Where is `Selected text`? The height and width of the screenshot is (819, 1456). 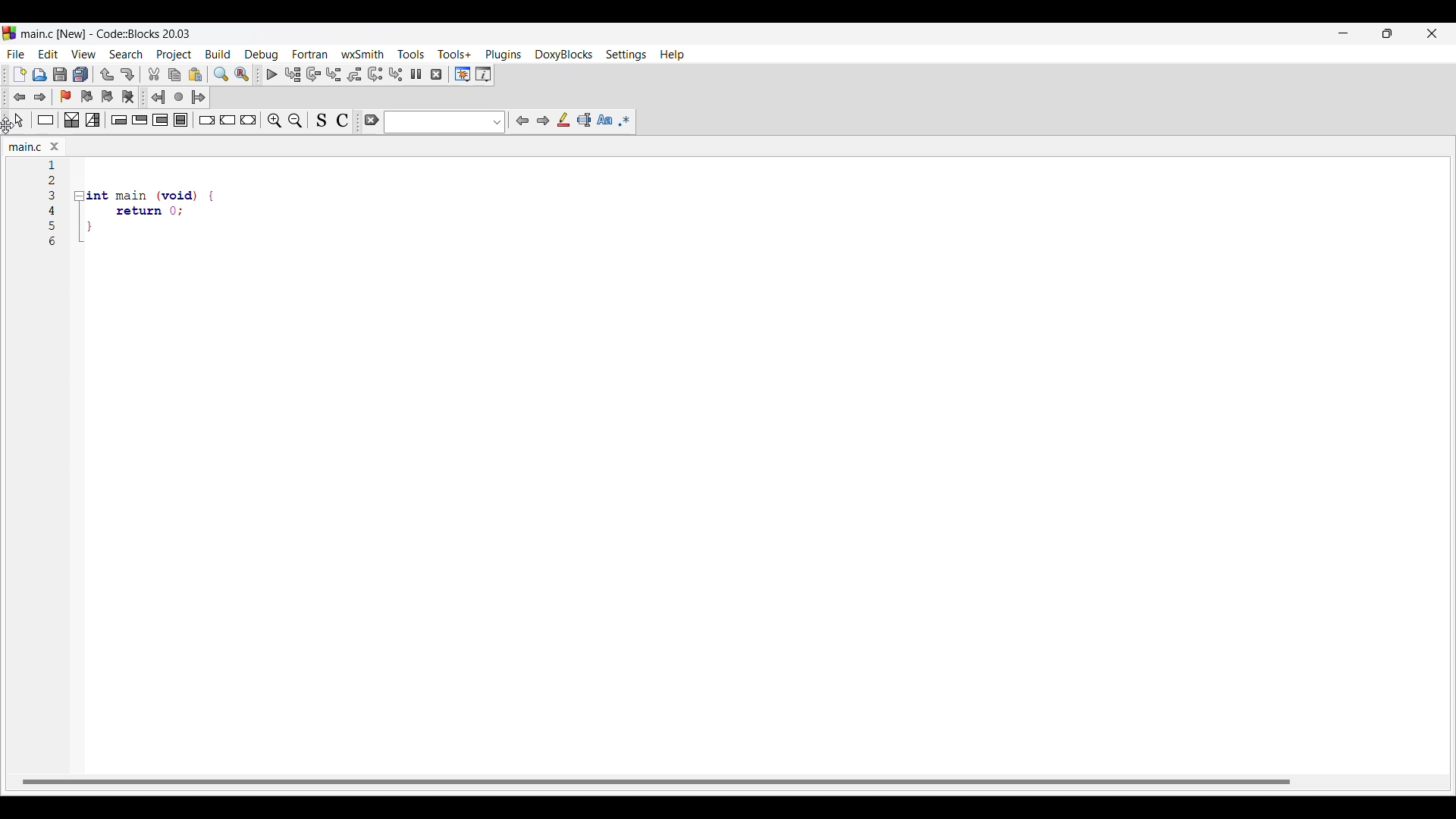 Selected text is located at coordinates (584, 120).